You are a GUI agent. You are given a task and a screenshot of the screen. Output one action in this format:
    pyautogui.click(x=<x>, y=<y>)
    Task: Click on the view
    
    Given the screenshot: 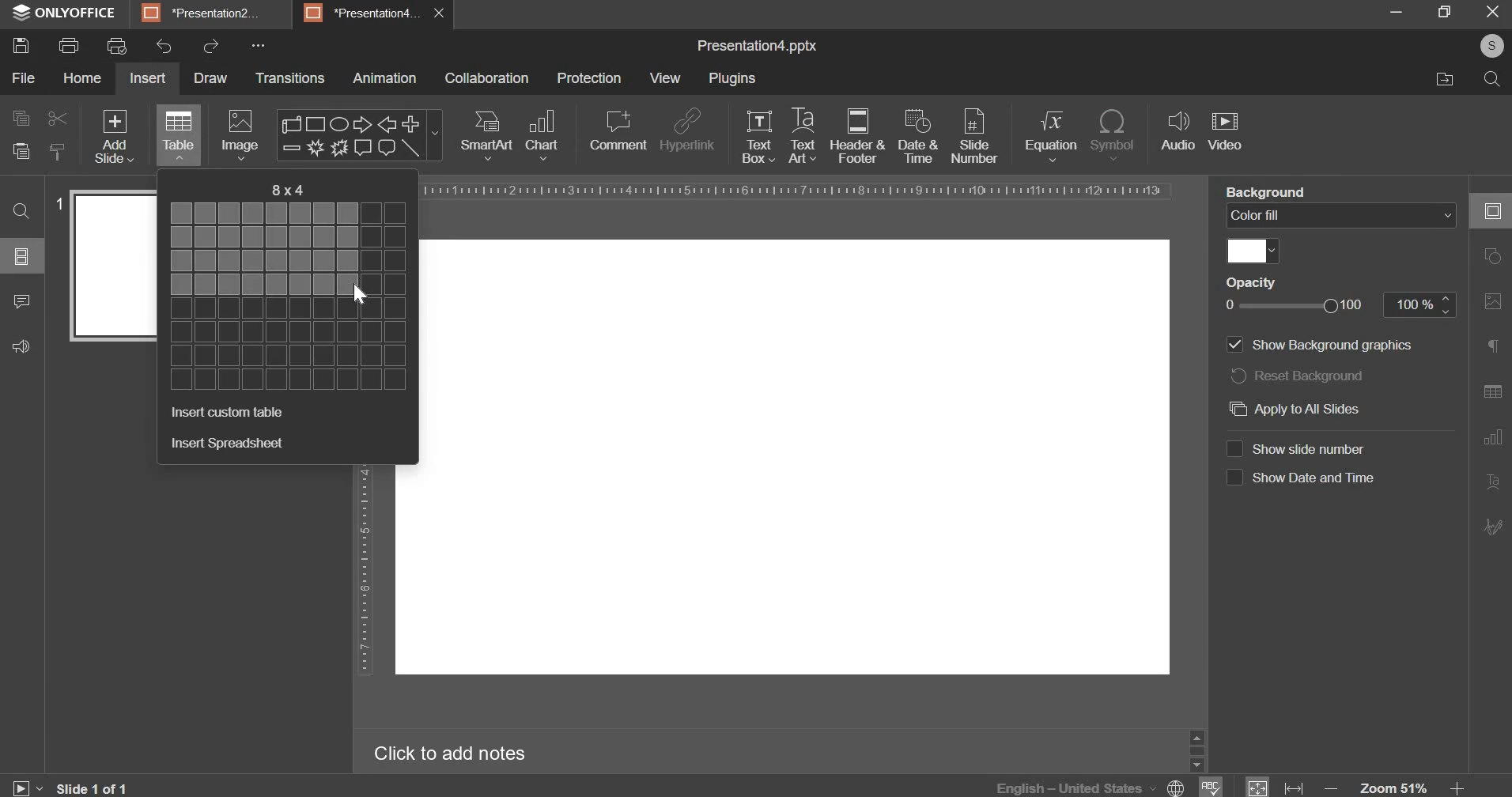 What is the action you would take?
    pyautogui.click(x=667, y=77)
    